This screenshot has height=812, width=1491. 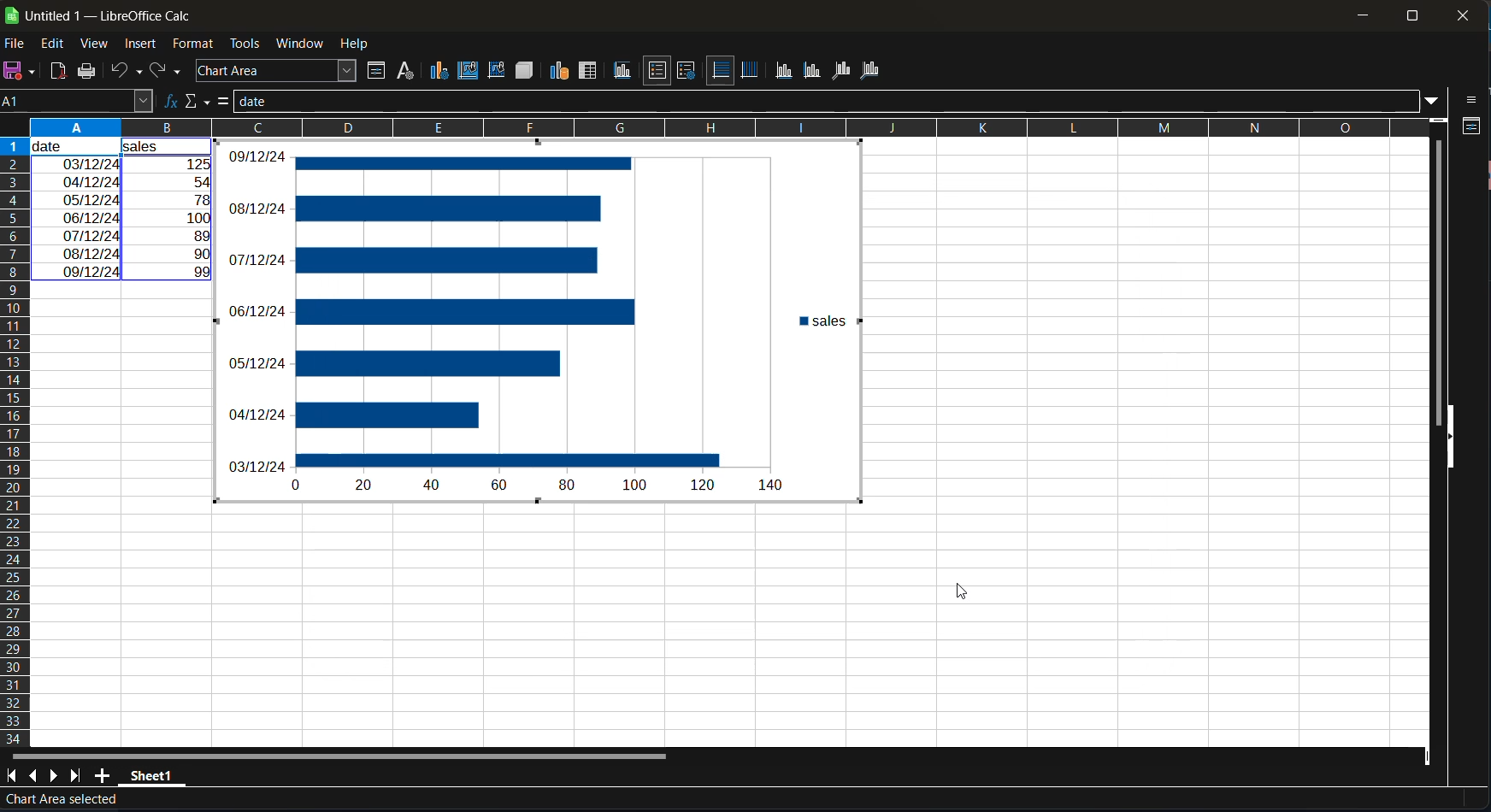 What do you see at coordinates (59, 70) in the screenshot?
I see `export directly as PDF` at bounding box center [59, 70].